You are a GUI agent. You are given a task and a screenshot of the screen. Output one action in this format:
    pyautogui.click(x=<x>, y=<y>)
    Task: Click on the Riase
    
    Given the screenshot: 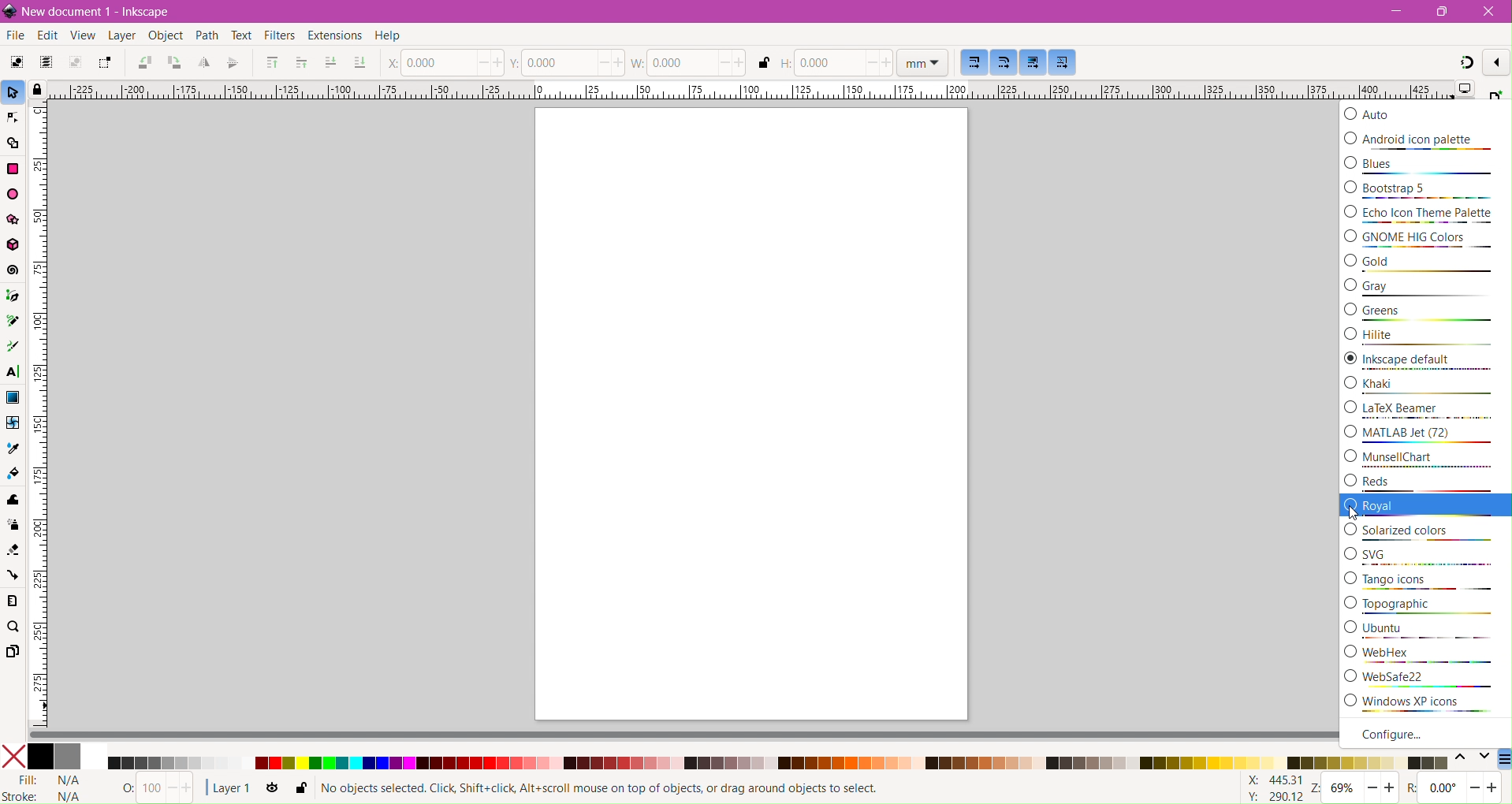 What is the action you would take?
    pyautogui.click(x=301, y=62)
    